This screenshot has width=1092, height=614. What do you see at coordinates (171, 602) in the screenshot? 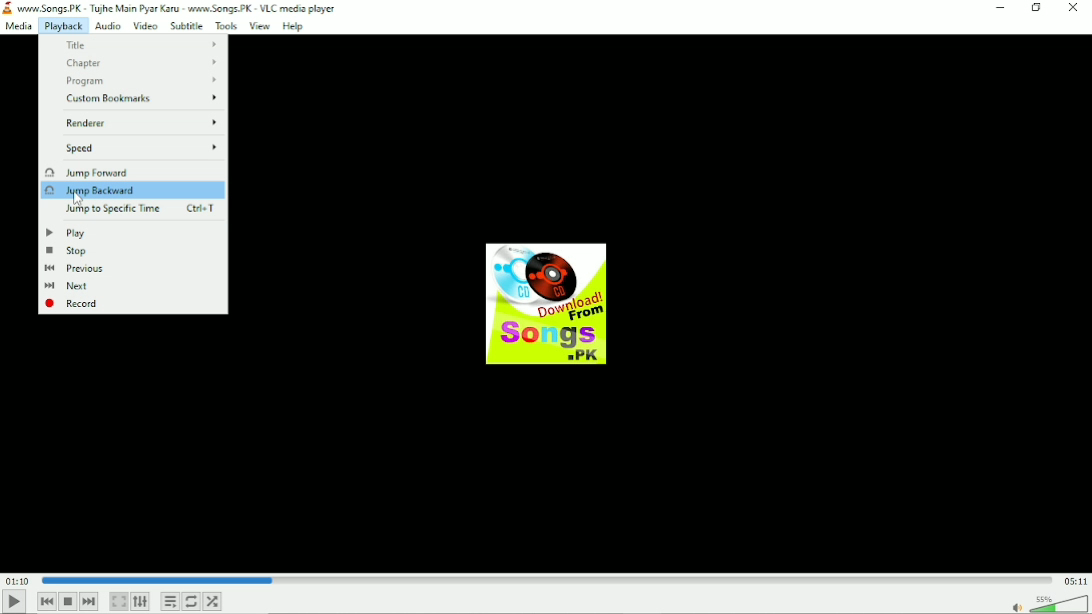
I see `Toggle playlist` at bounding box center [171, 602].